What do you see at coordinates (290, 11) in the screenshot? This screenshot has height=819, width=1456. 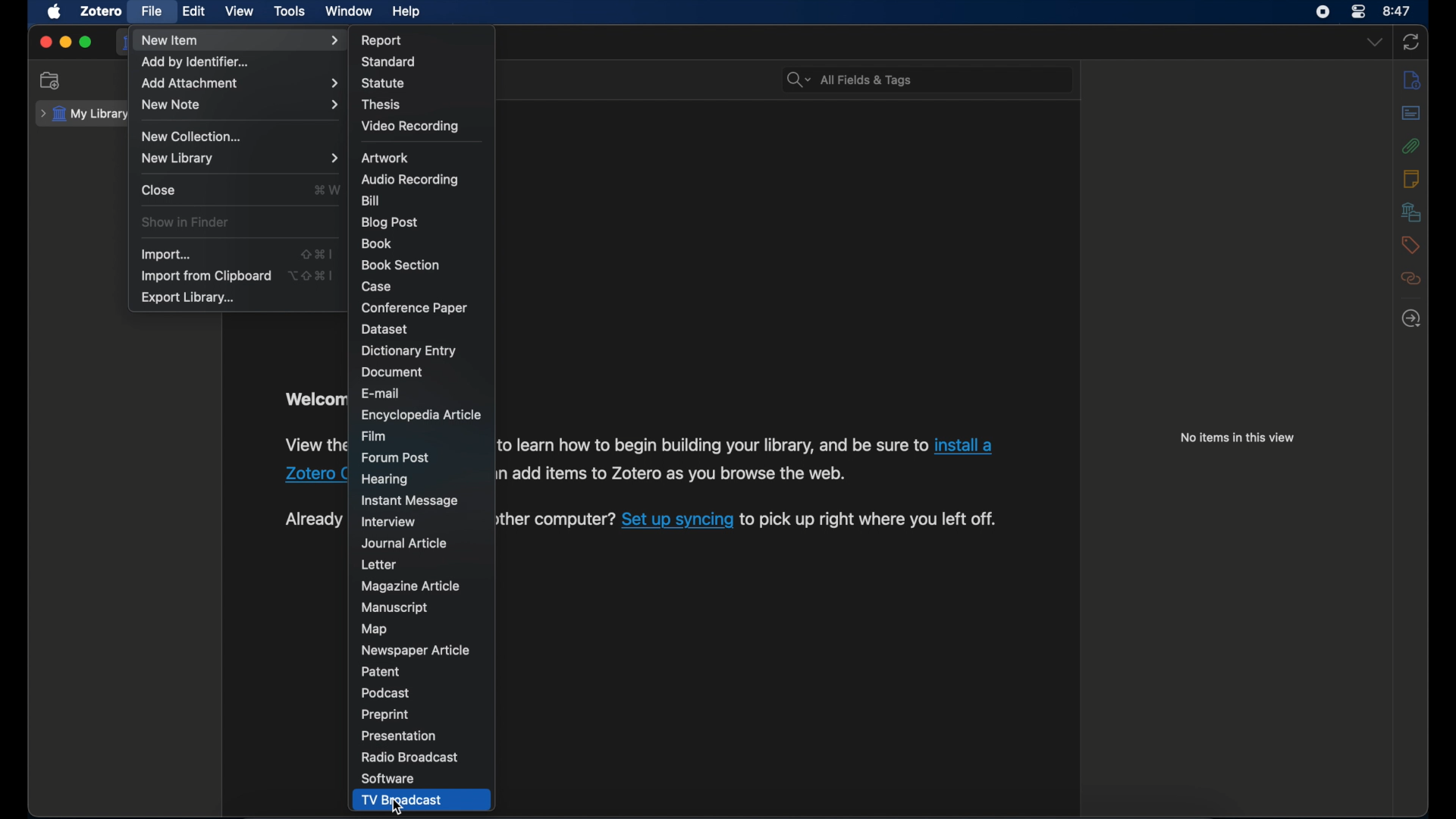 I see `tools` at bounding box center [290, 11].